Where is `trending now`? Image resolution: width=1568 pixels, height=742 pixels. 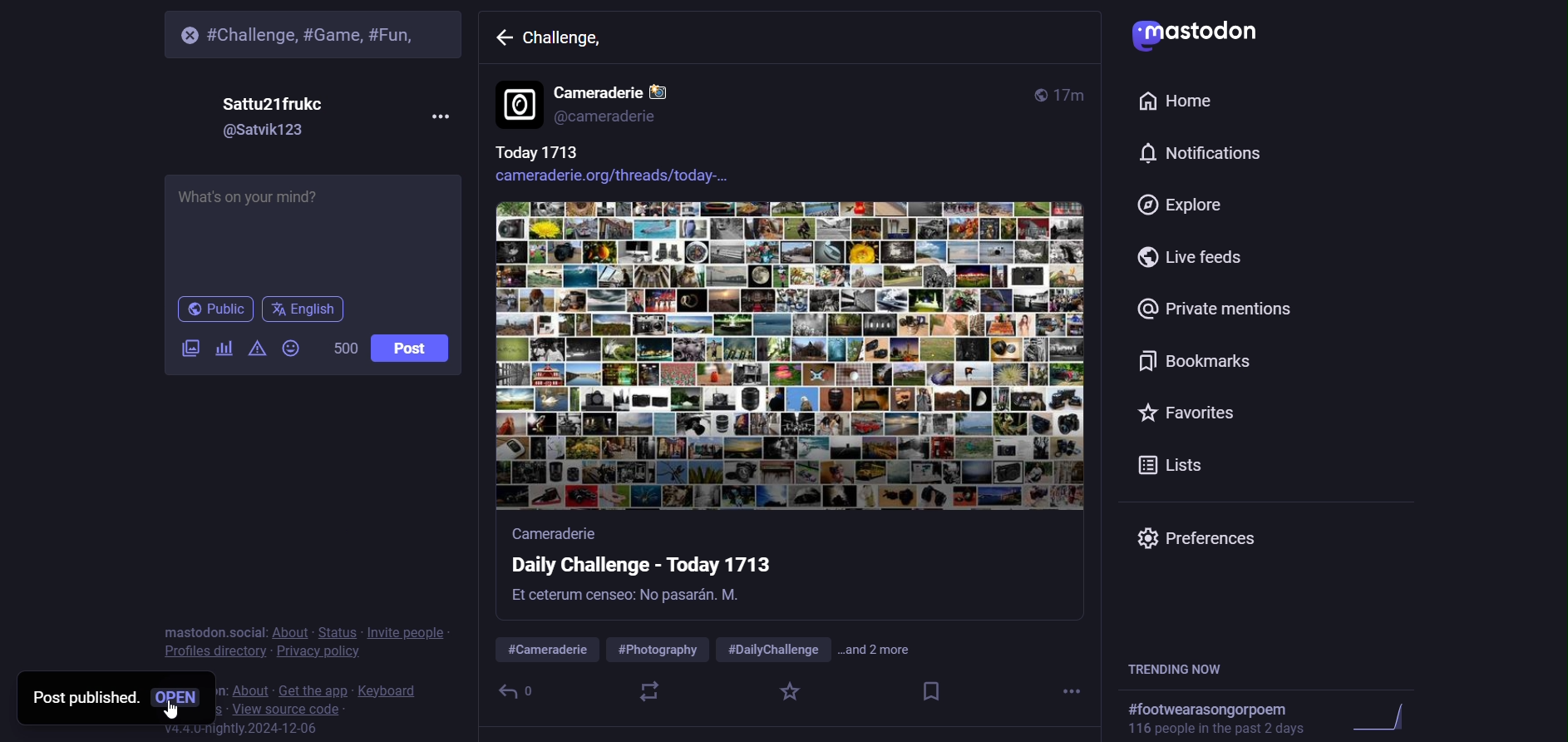 trending now is located at coordinates (1184, 668).